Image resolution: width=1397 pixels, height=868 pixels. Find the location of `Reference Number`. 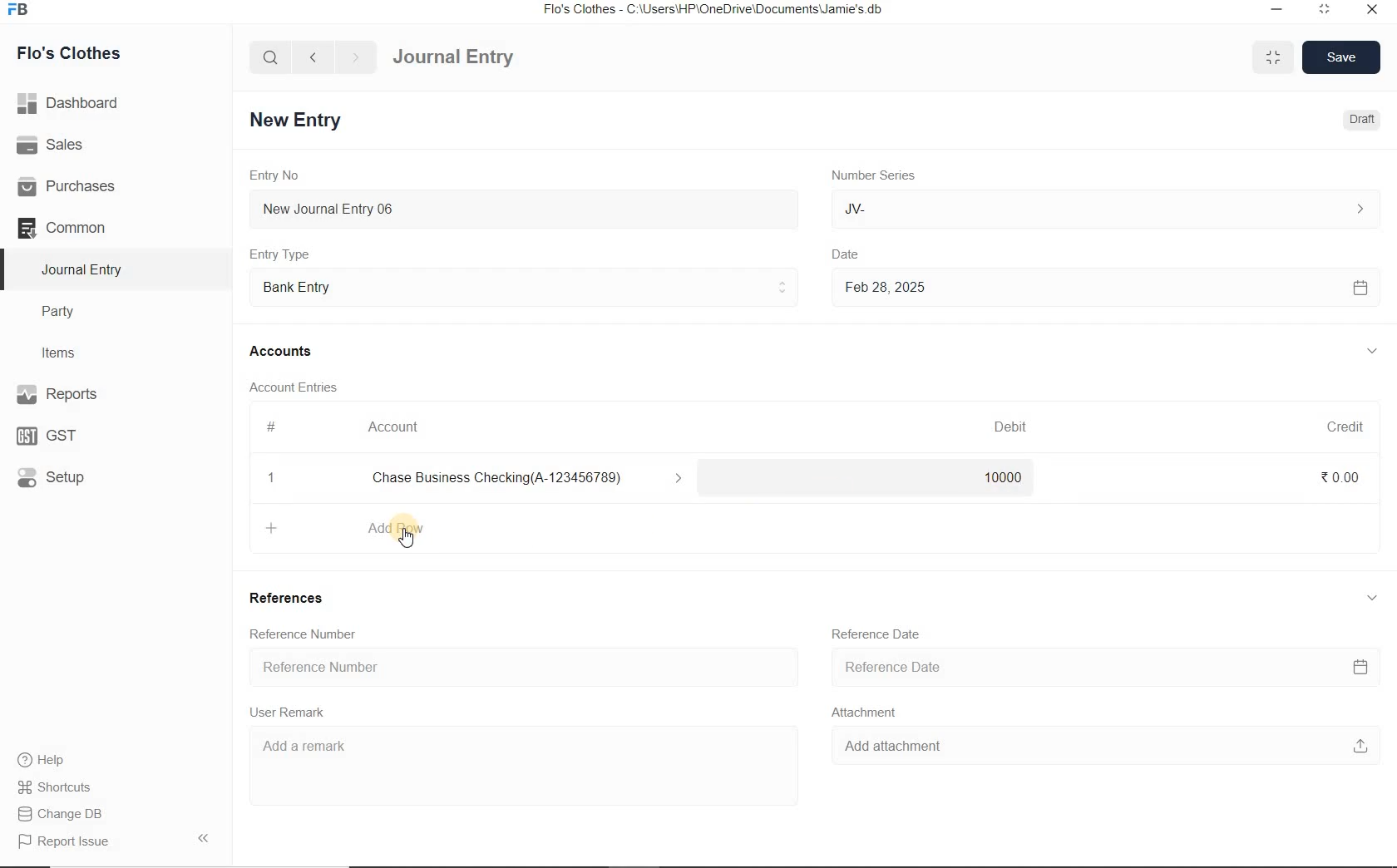

Reference Number is located at coordinates (308, 633).